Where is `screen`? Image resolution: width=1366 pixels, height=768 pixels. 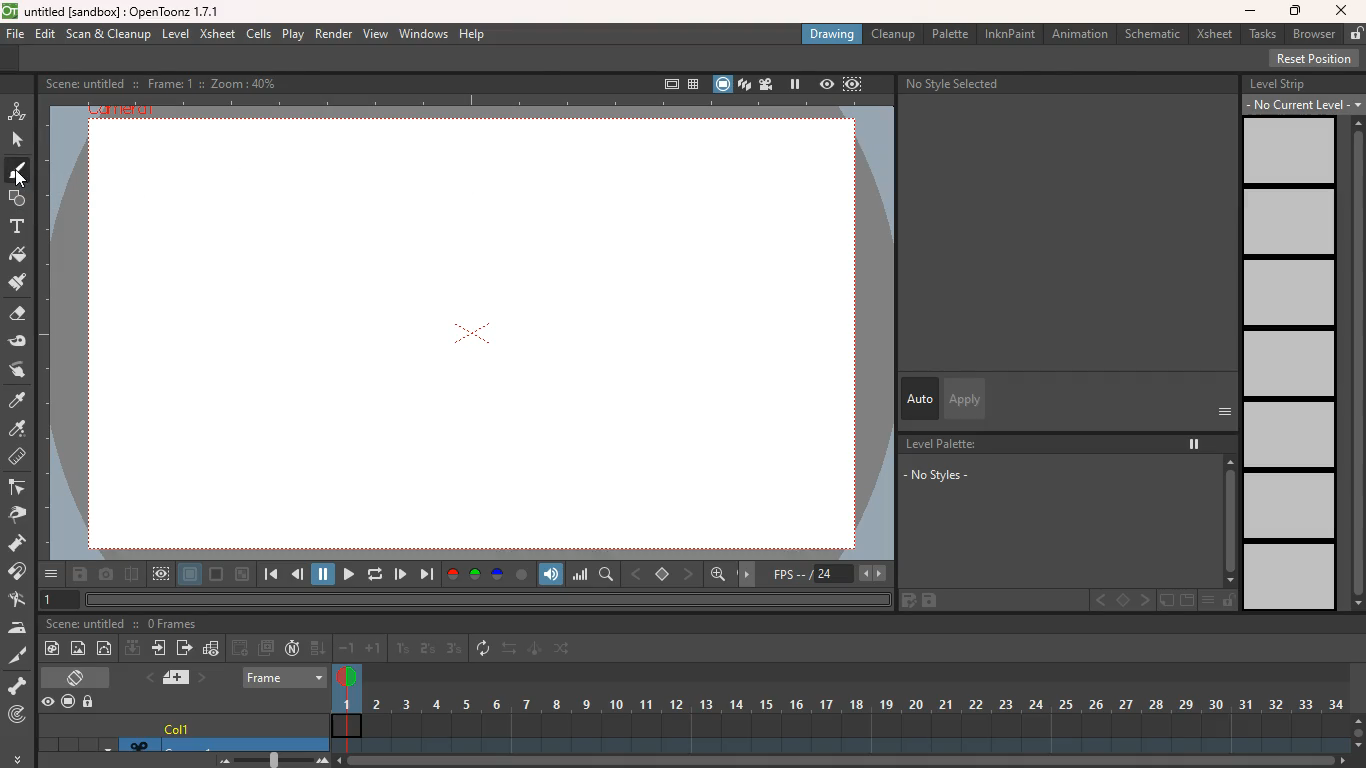 screen is located at coordinates (79, 676).